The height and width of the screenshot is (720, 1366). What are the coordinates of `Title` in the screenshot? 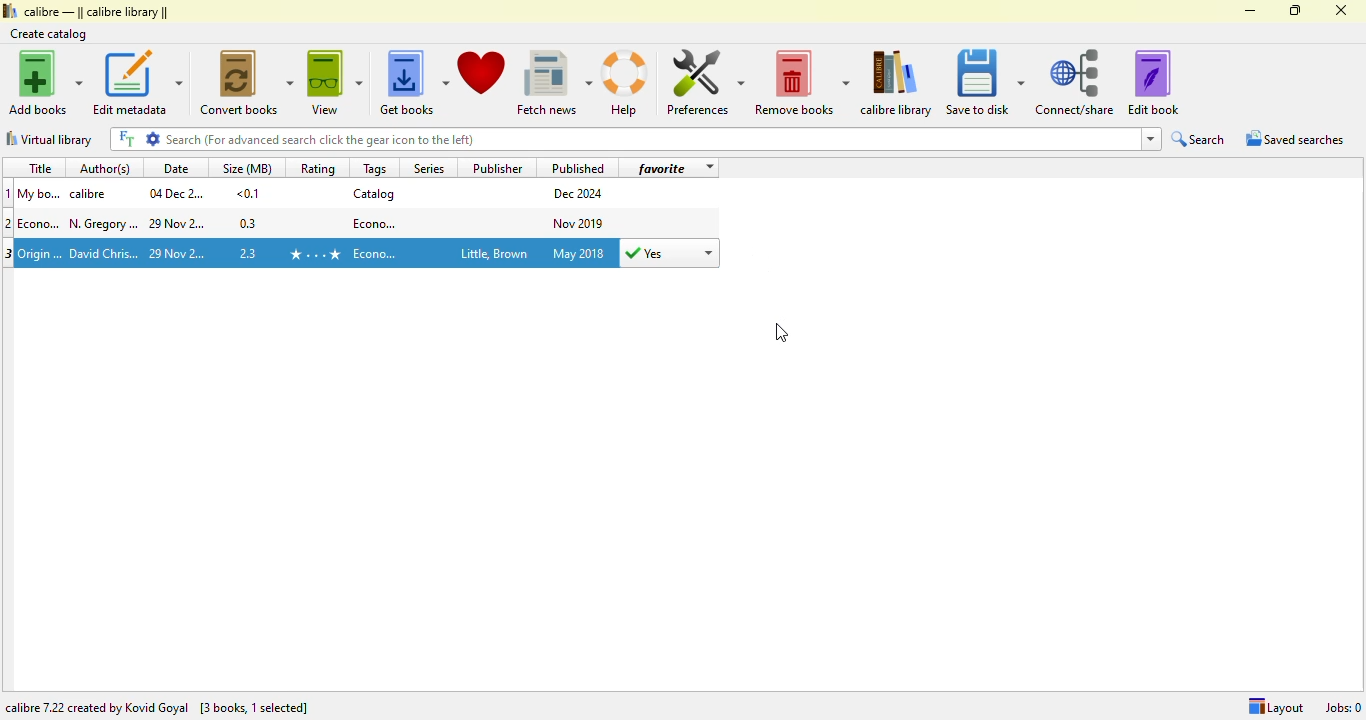 It's located at (40, 193).